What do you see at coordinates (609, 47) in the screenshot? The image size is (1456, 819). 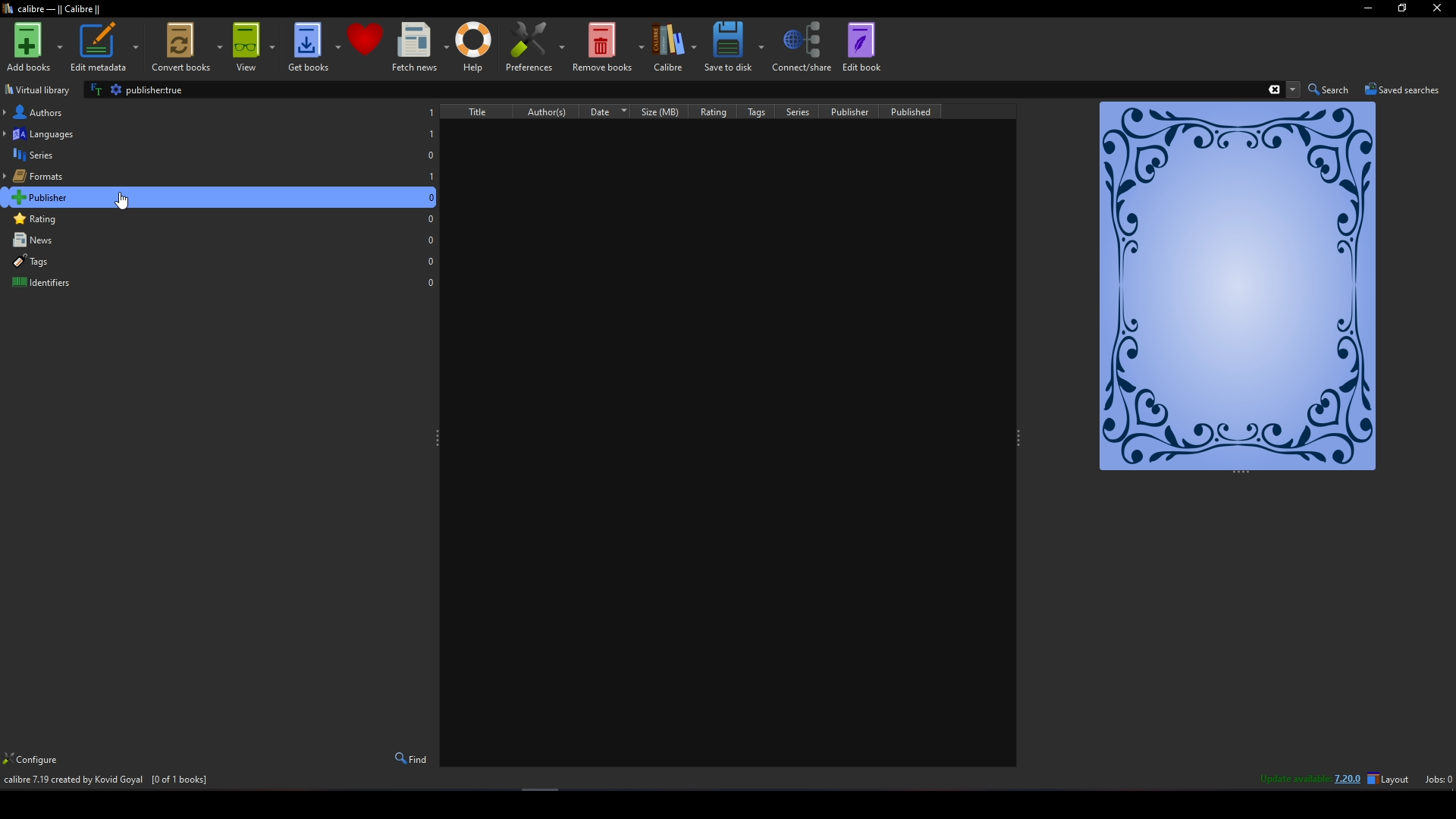 I see `Remove books` at bounding box center [609, 47].